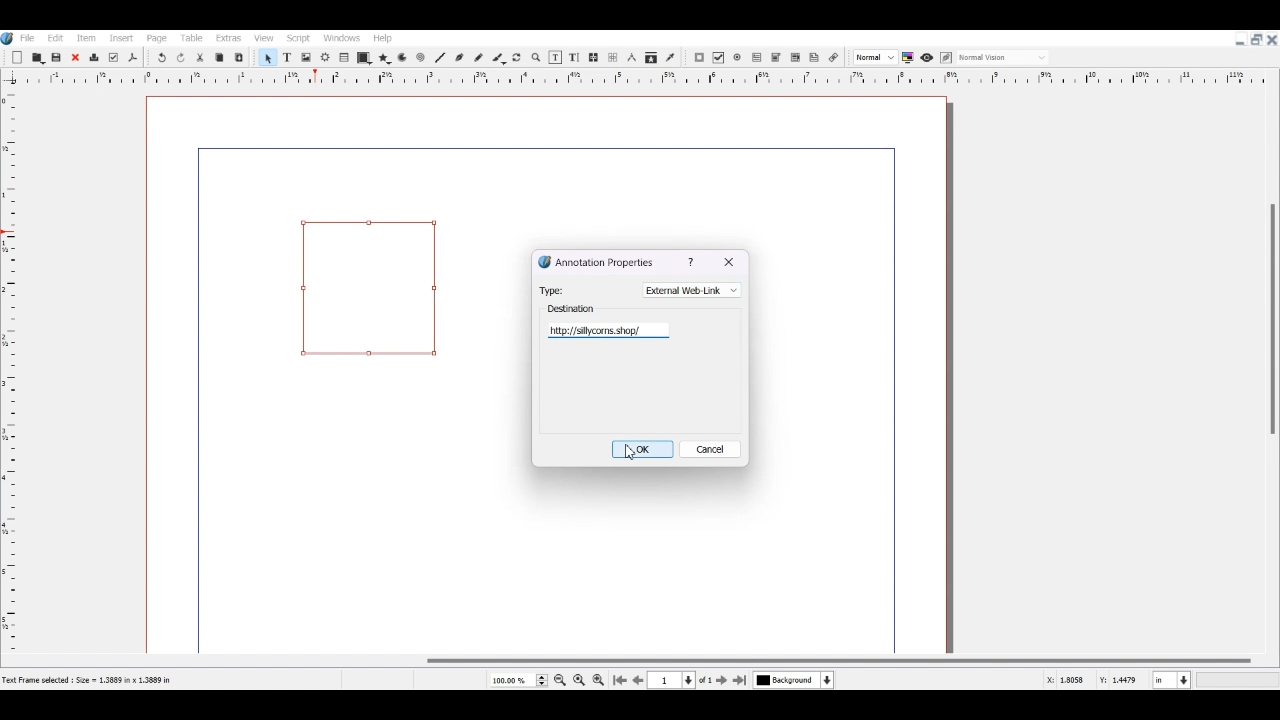 Image resolution: width=1280 pixels, height=720 pixels. What do you see at coordinates (402, 59) in the screenshot?
I see `Arc` at bounding box center [402, 59].